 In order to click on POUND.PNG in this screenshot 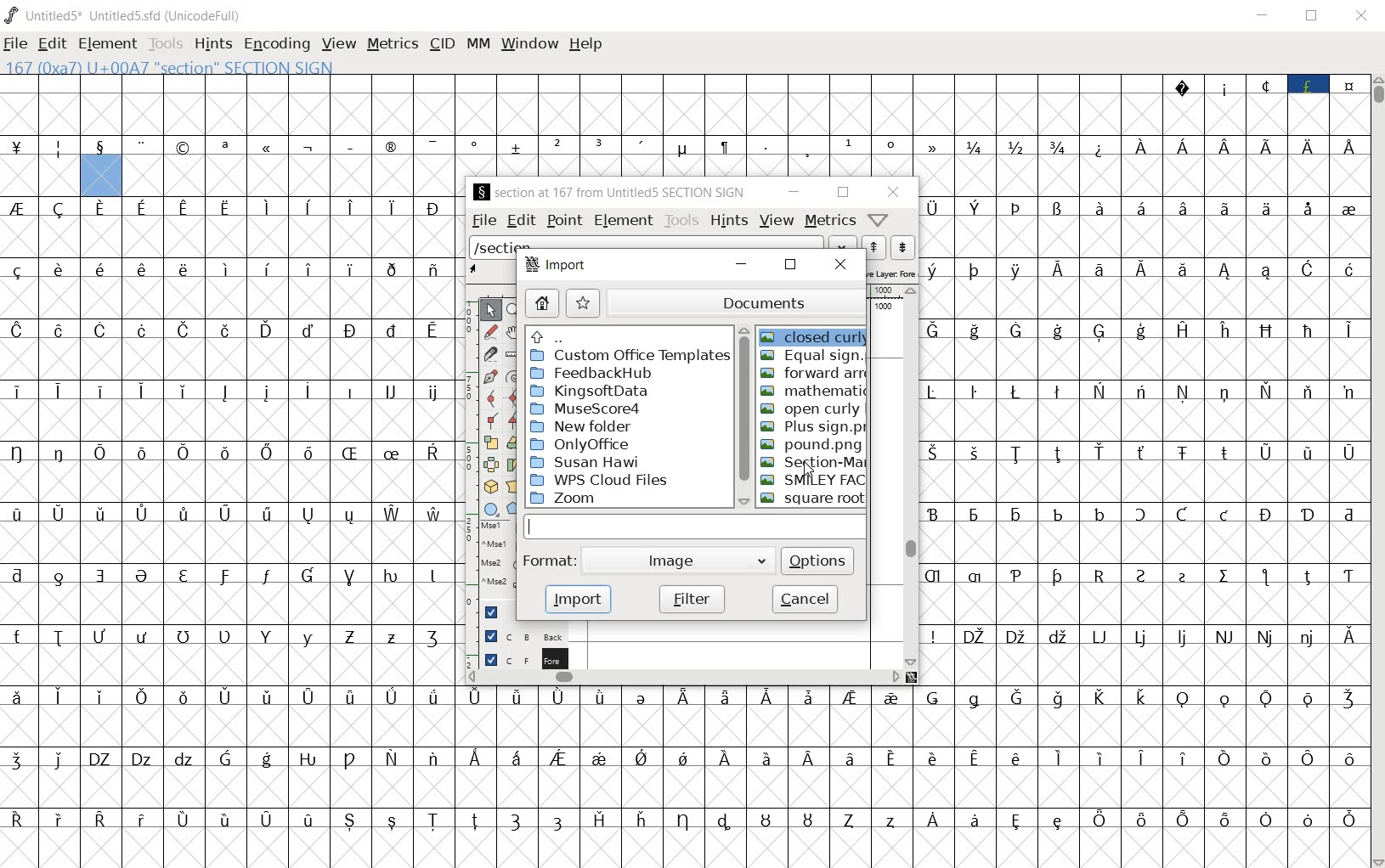, I will do `click(811, 446)`.